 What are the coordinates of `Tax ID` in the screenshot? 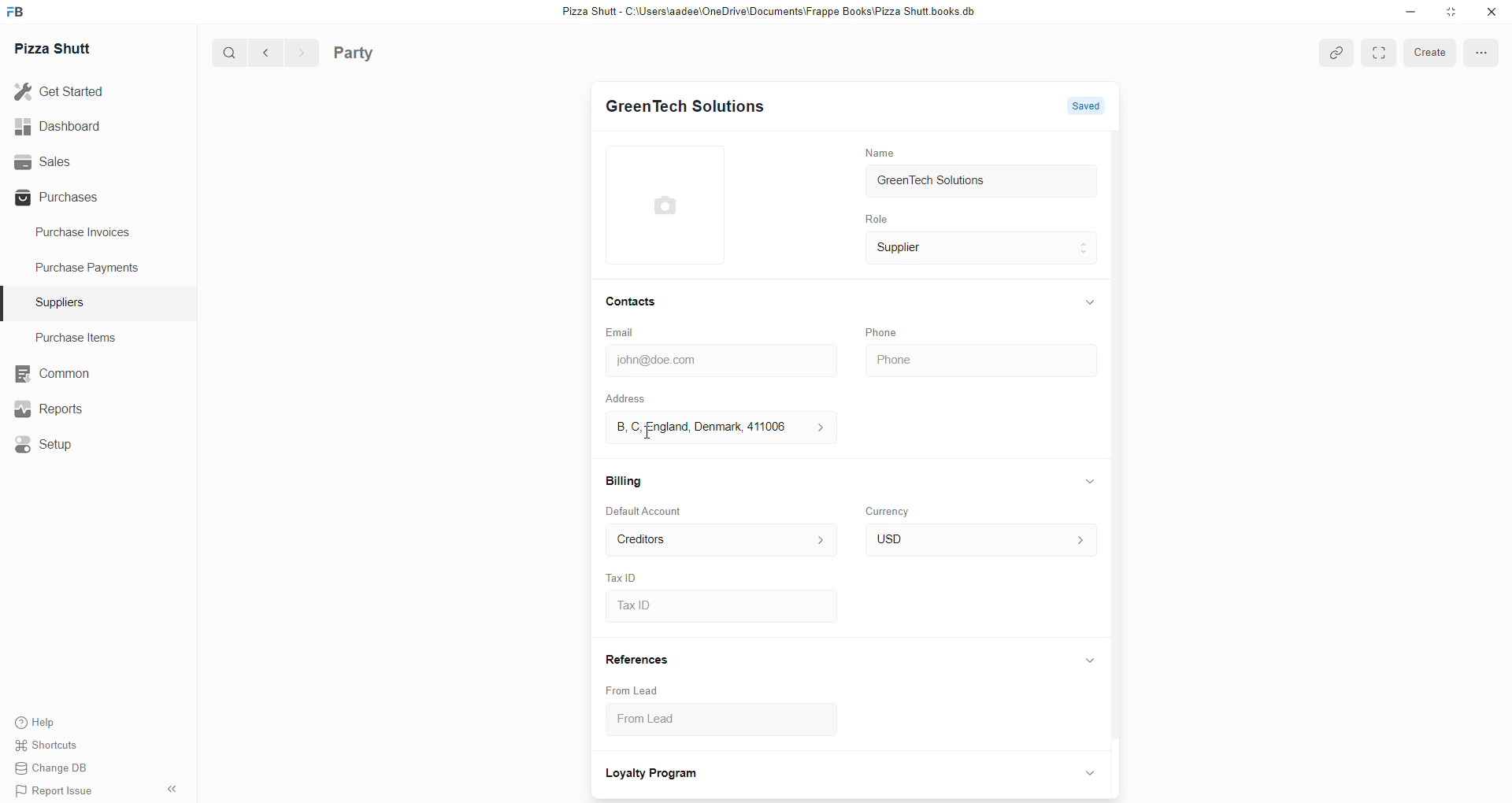 It's located at (719, 607).